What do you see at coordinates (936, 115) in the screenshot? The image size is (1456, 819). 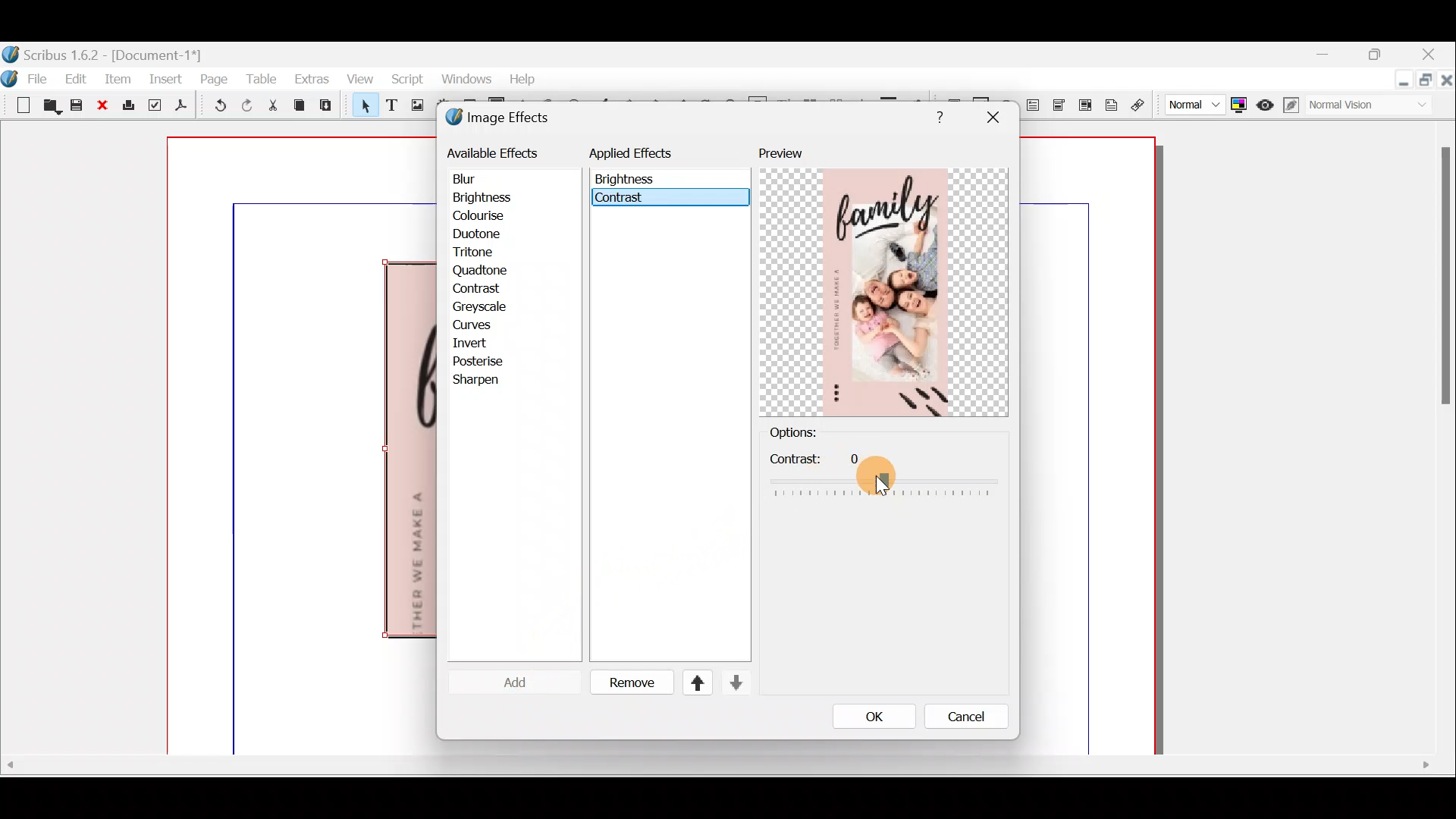 I see `` at bounding box center [936, 115].